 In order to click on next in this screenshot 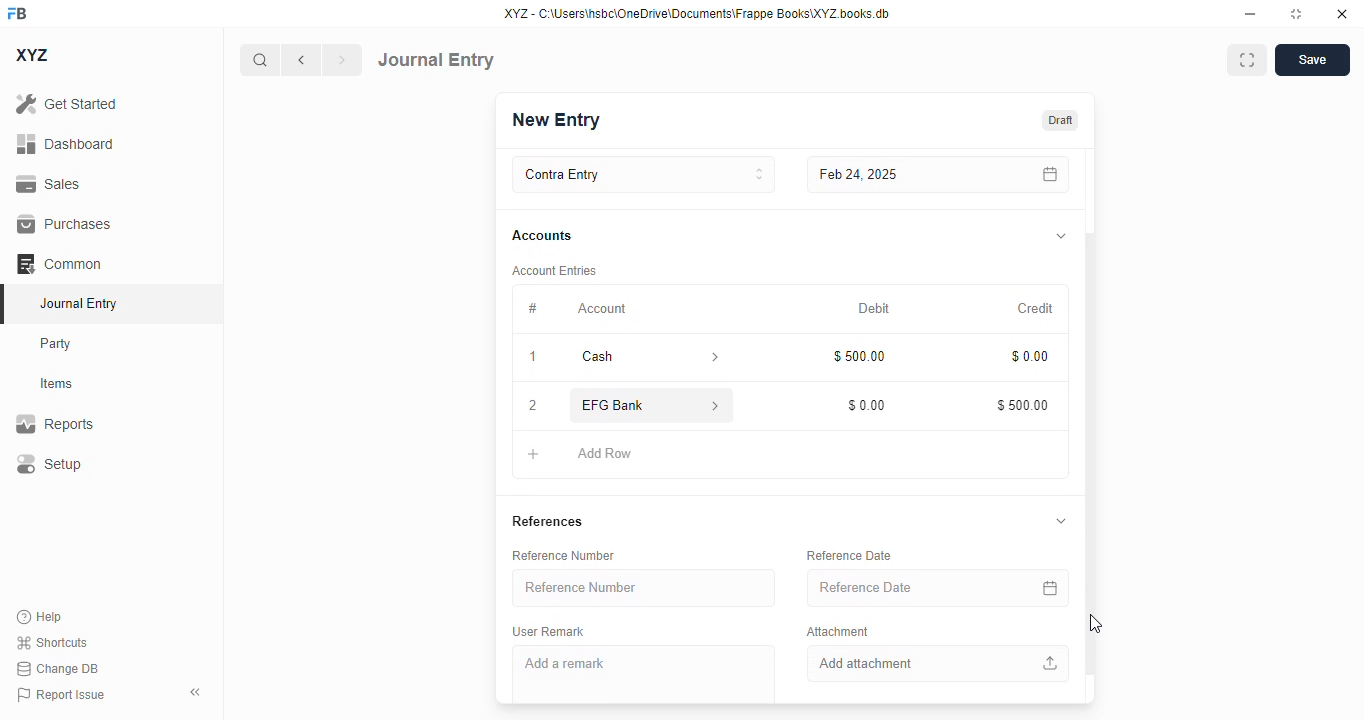, I will do `click(343, 60)`.